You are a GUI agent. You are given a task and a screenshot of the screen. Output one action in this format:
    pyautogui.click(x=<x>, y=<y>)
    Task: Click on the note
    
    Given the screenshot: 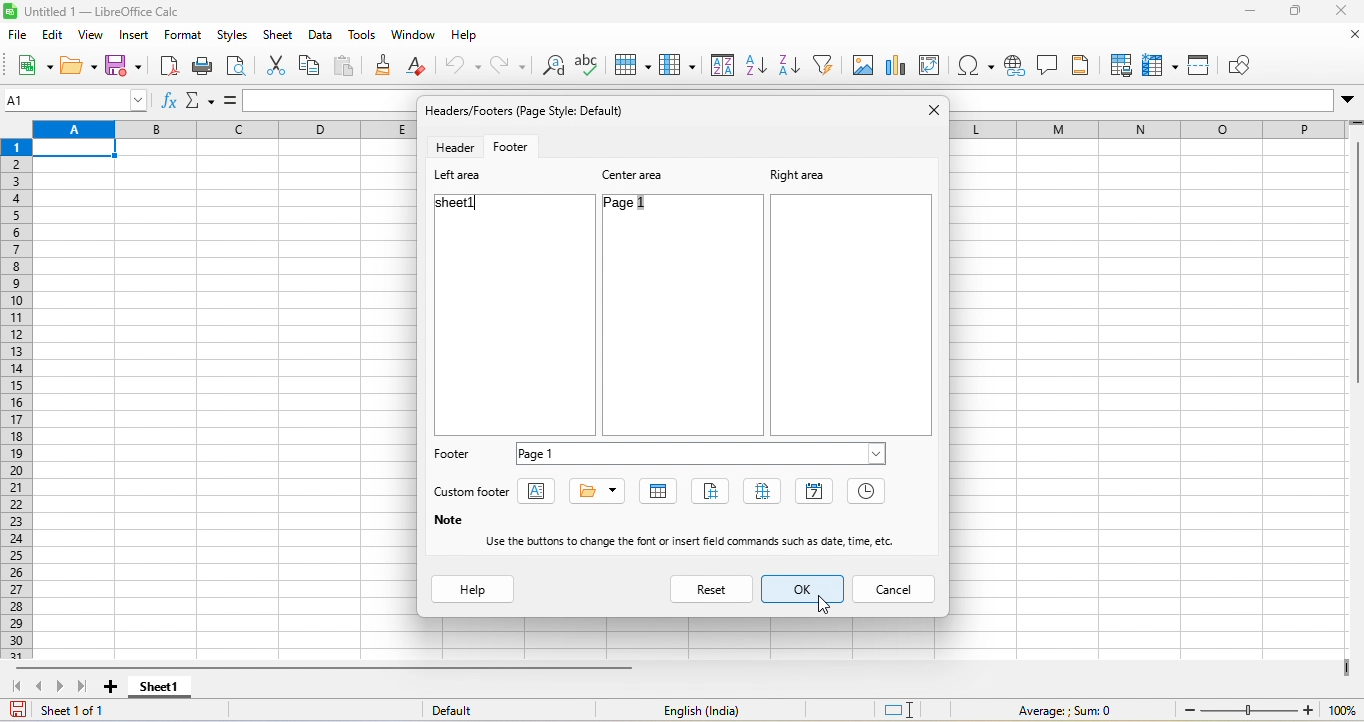 What is the action you would take?
    pyautogui.click(x=447, y=521)
    